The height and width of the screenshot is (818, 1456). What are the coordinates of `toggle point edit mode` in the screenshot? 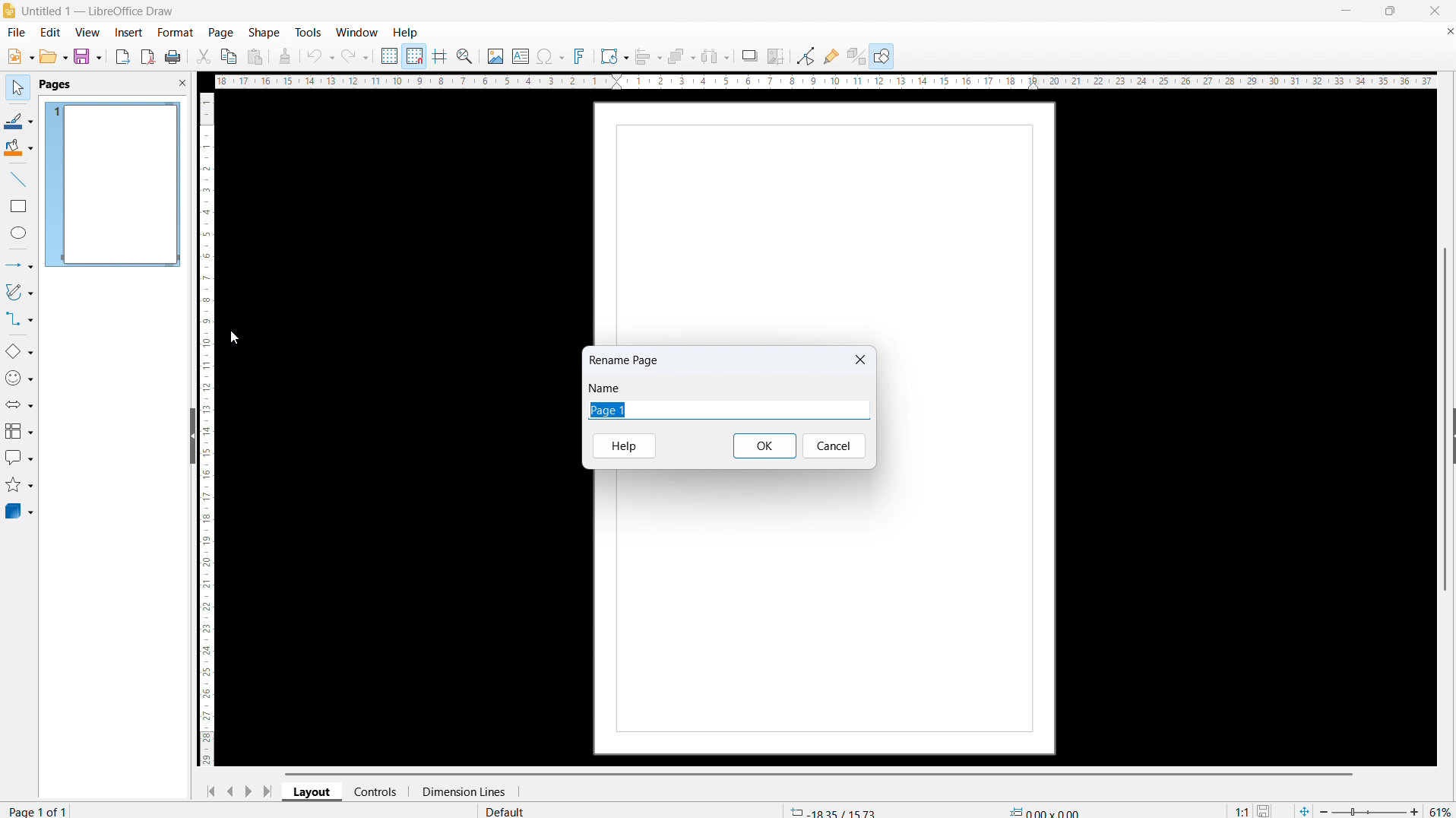 It's located at (806, 55).